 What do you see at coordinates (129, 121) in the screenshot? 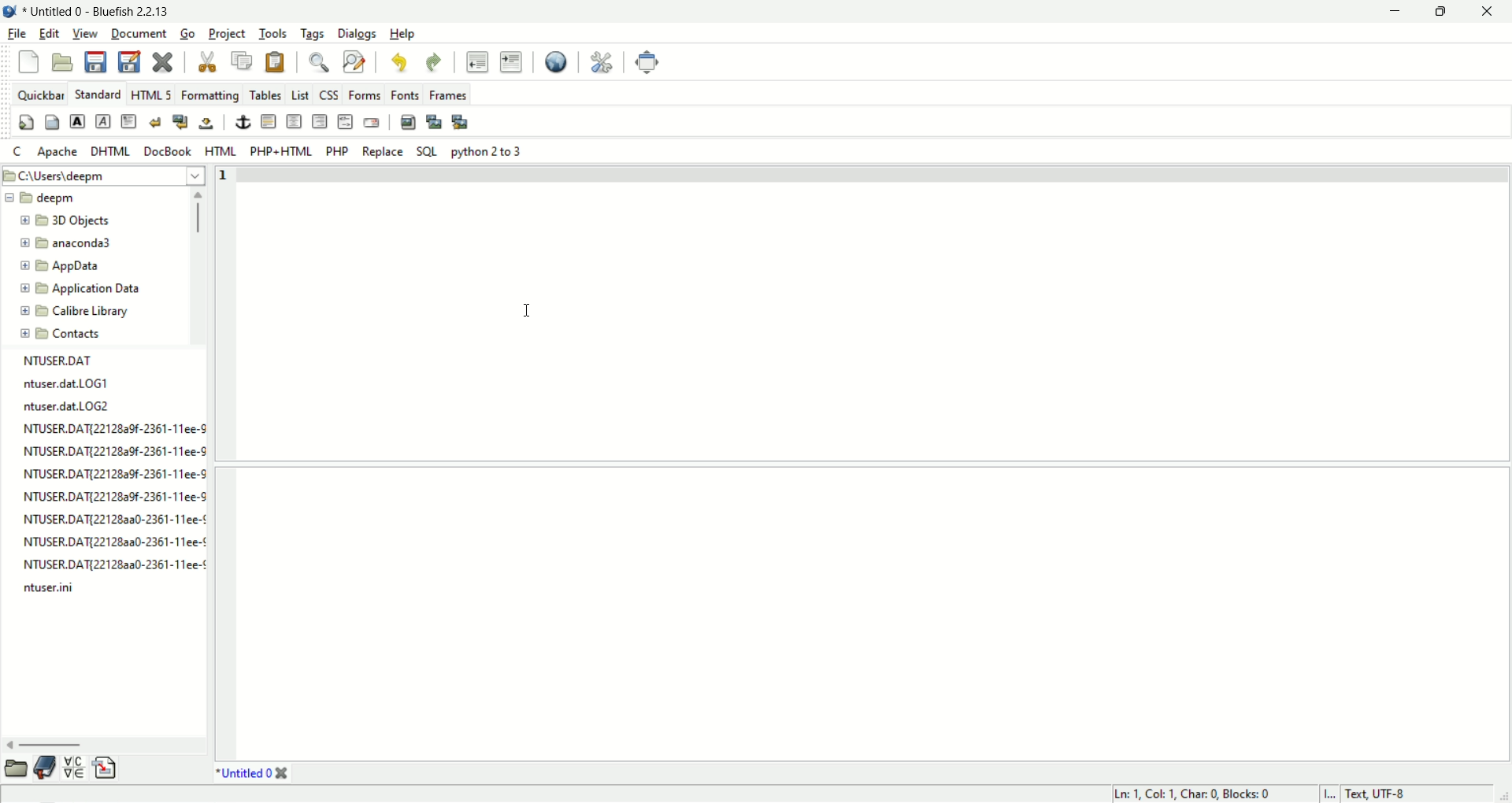
I see `paragraph` at bounding box center [129, 121].